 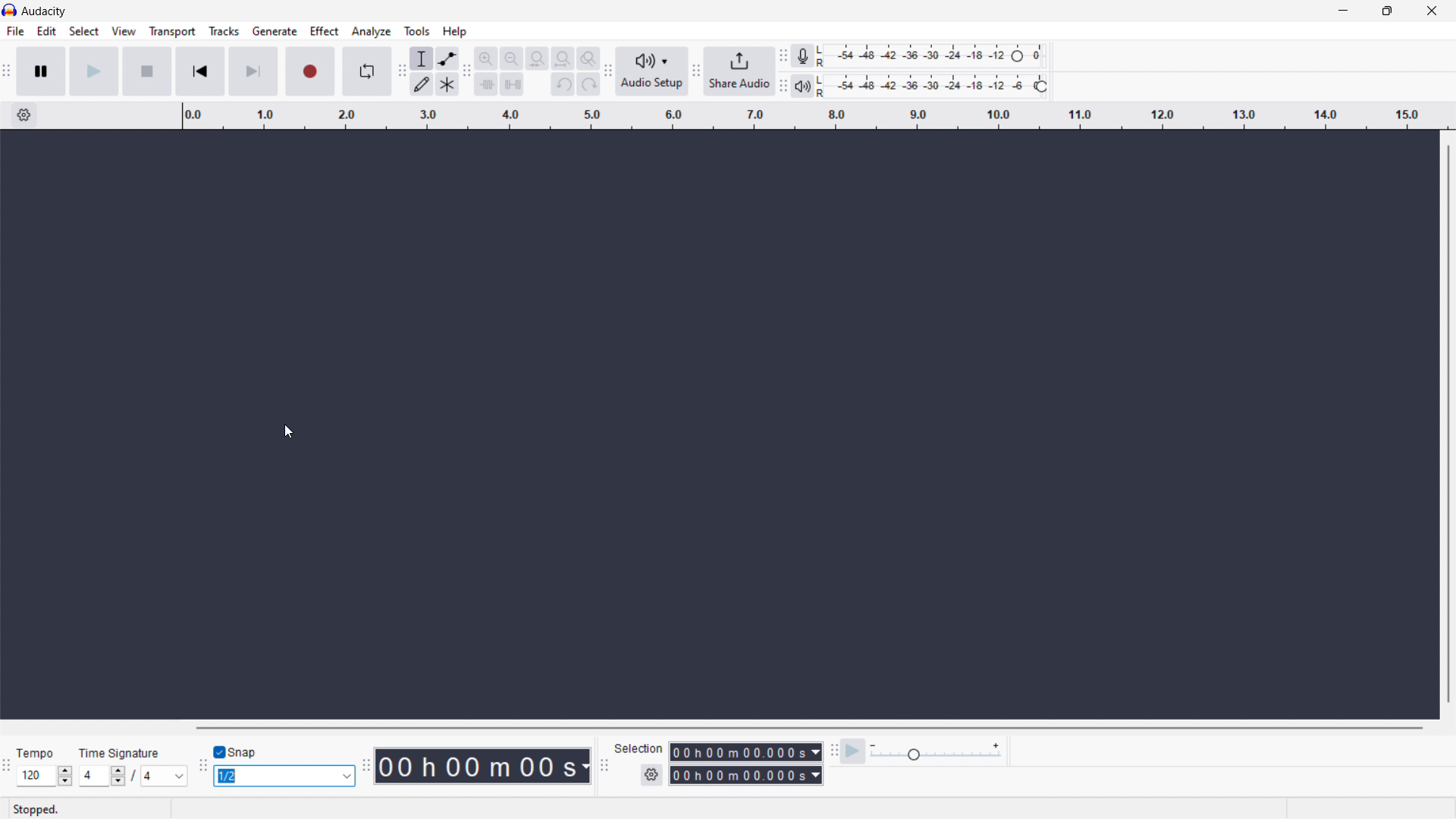 I want to click on Audacity, so click(x=45, y=11).